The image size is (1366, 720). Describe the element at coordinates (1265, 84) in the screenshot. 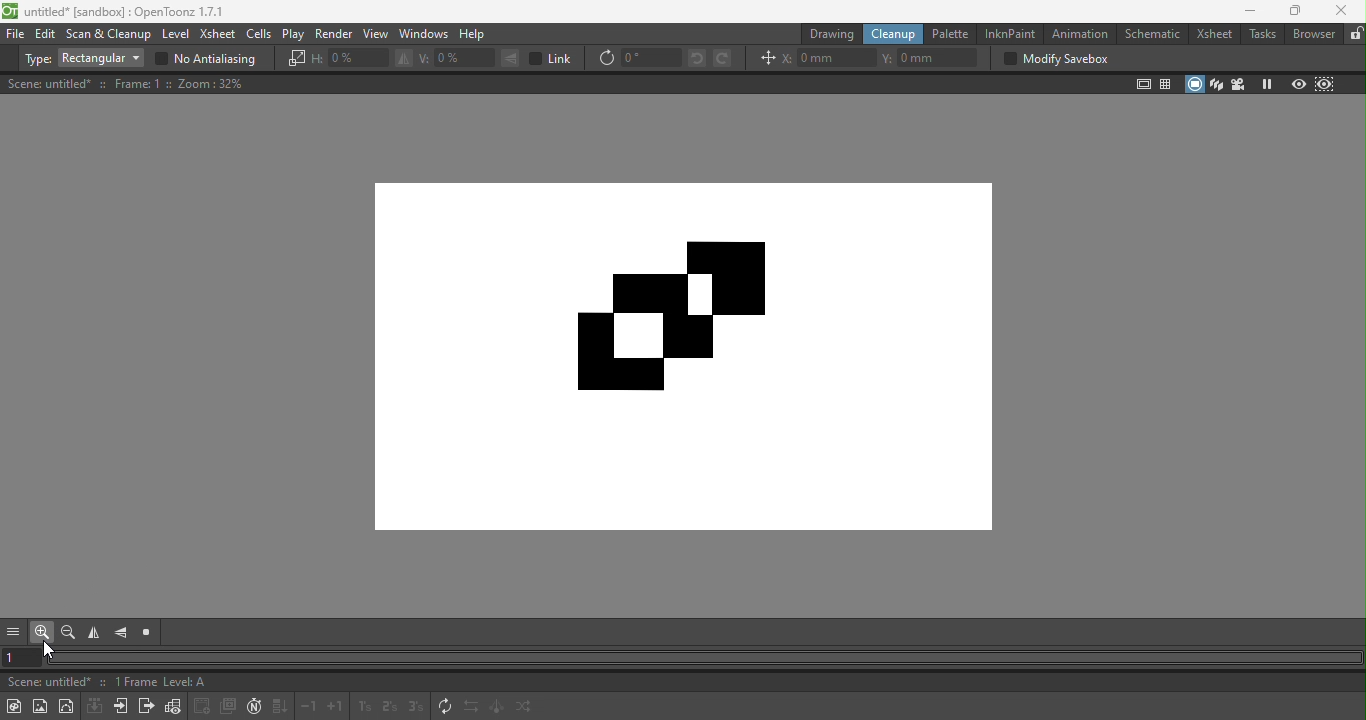

I see `Freeze` at that location.